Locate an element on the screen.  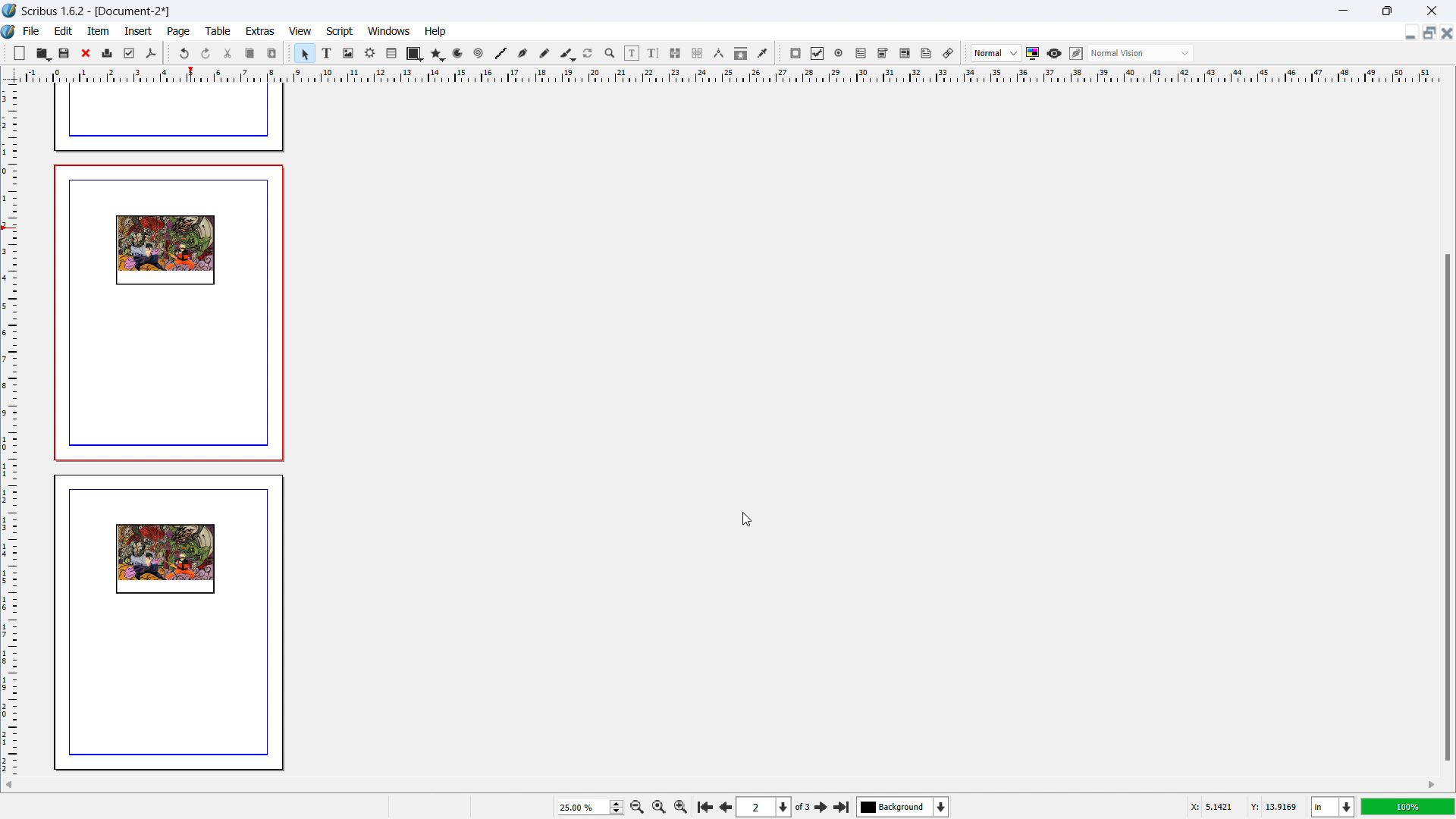
close window is located at coordinates (1430, 10).